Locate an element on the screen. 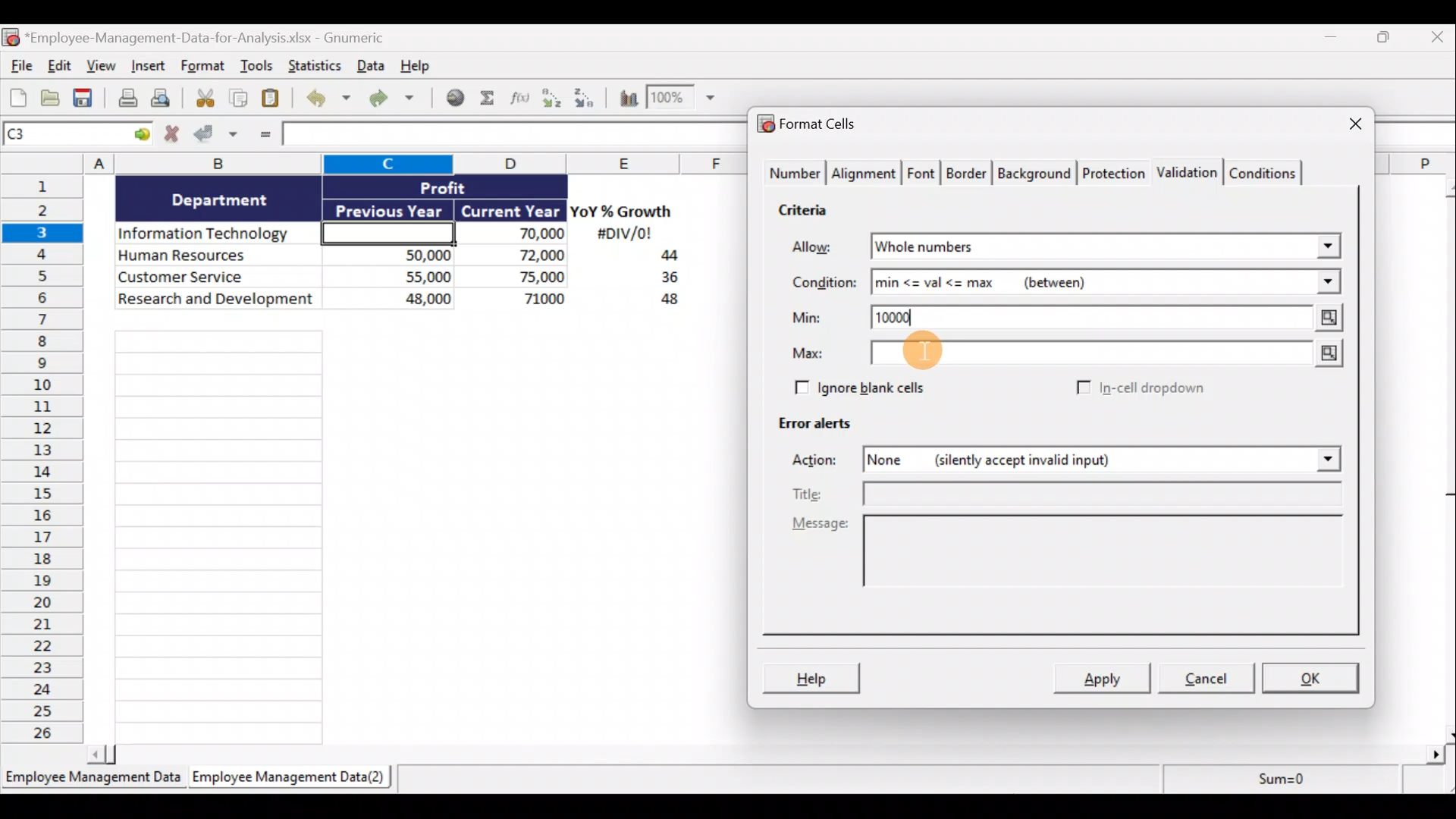  48 is located at coordinates (661, 302).